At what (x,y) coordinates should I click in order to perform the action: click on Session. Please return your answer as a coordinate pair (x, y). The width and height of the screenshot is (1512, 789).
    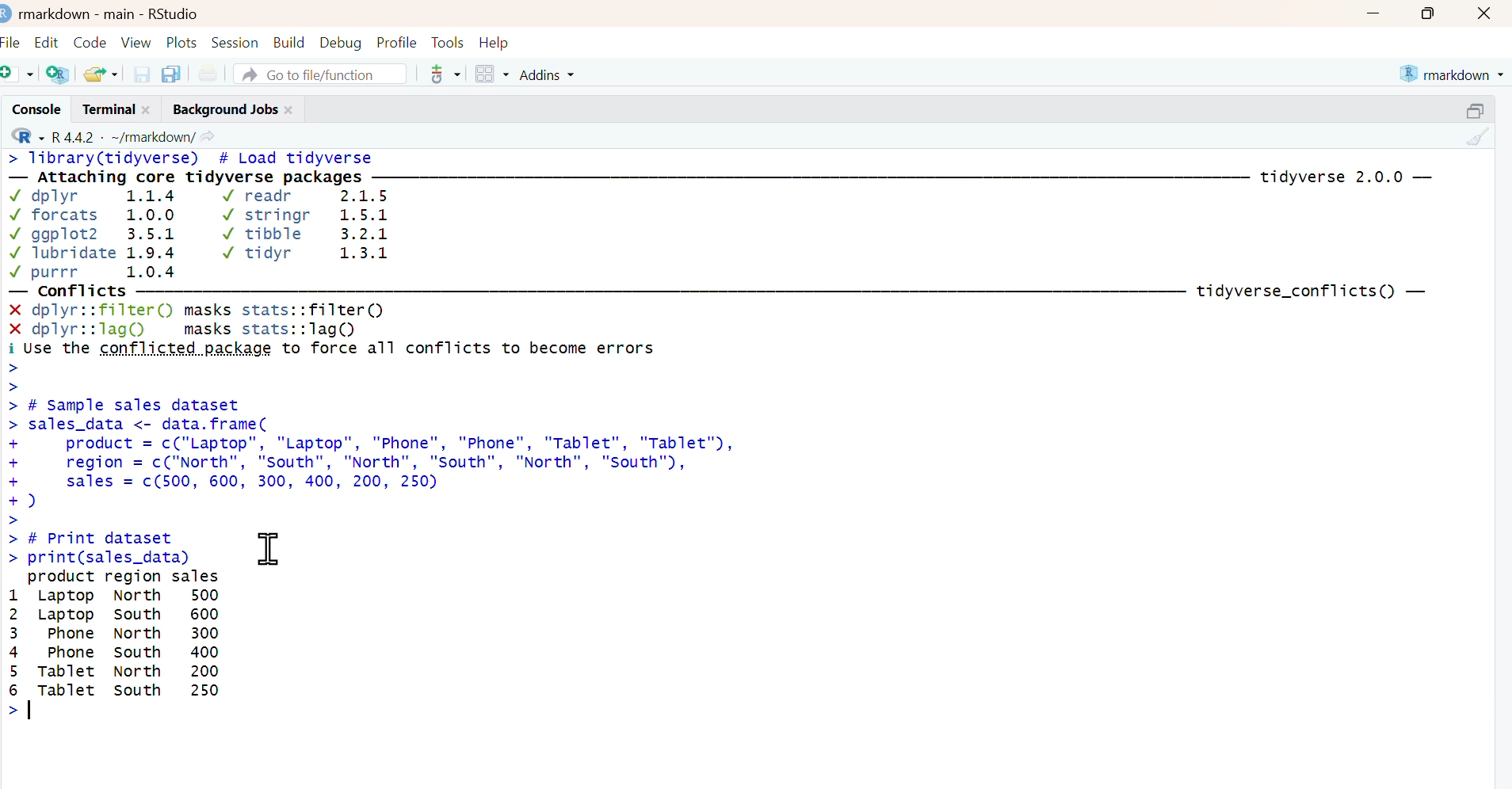
    Looking at the image, I should click on (236, 40).